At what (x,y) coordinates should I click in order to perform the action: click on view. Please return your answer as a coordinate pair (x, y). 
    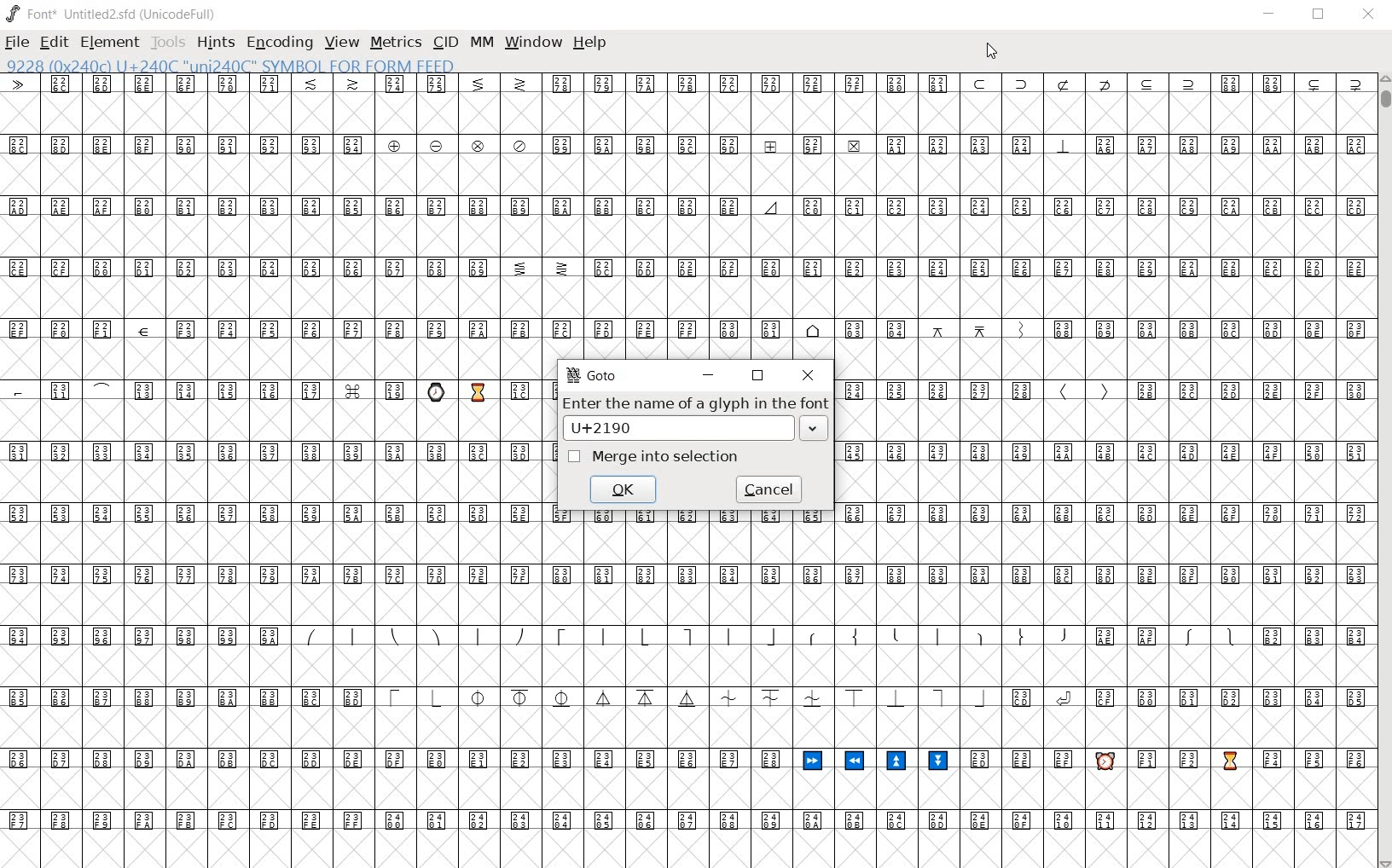
    Looking at the image, I should click on (343, 42).